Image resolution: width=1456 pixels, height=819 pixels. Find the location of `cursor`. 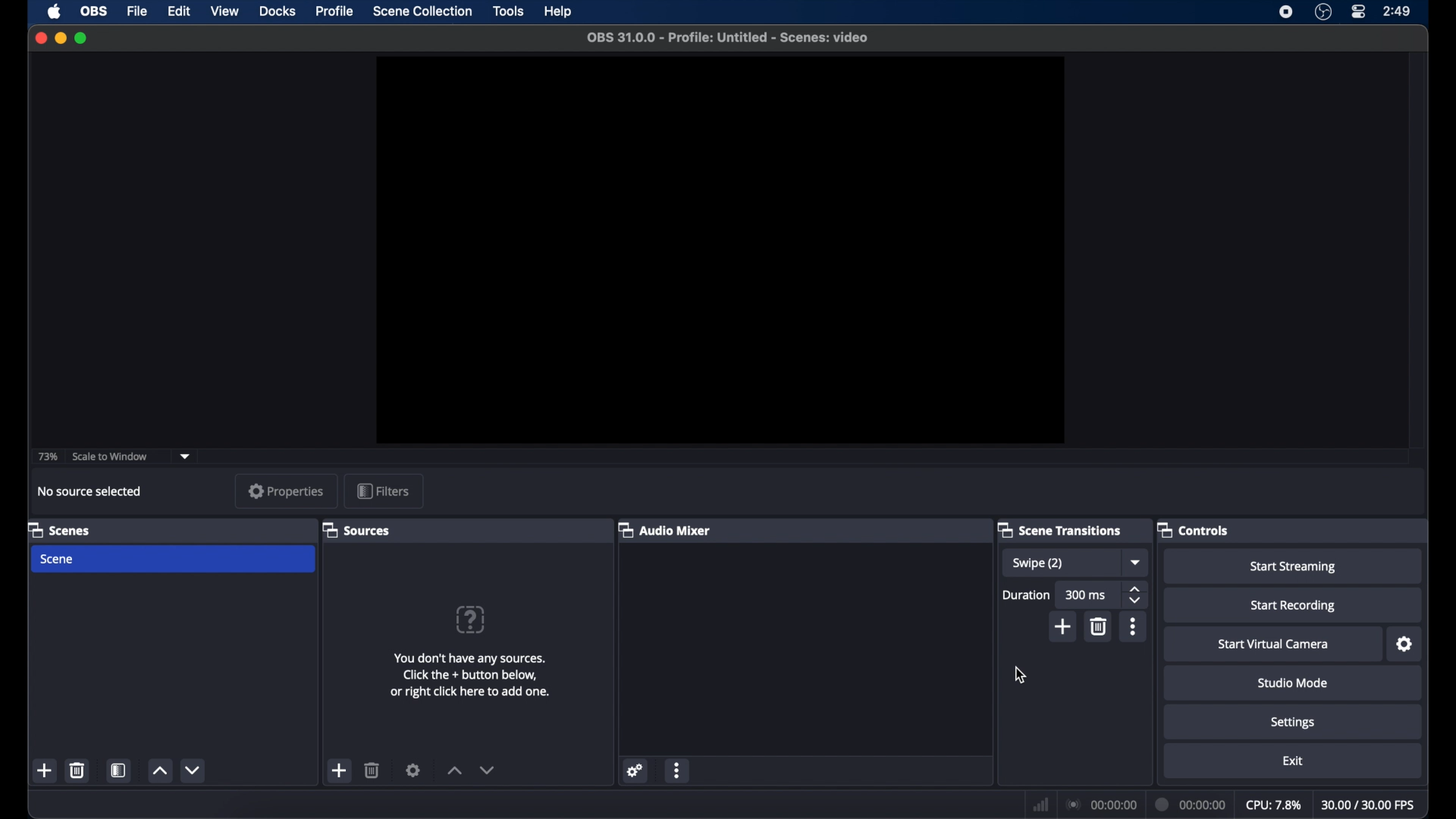

cursor is located at coordinates (1019, 675).